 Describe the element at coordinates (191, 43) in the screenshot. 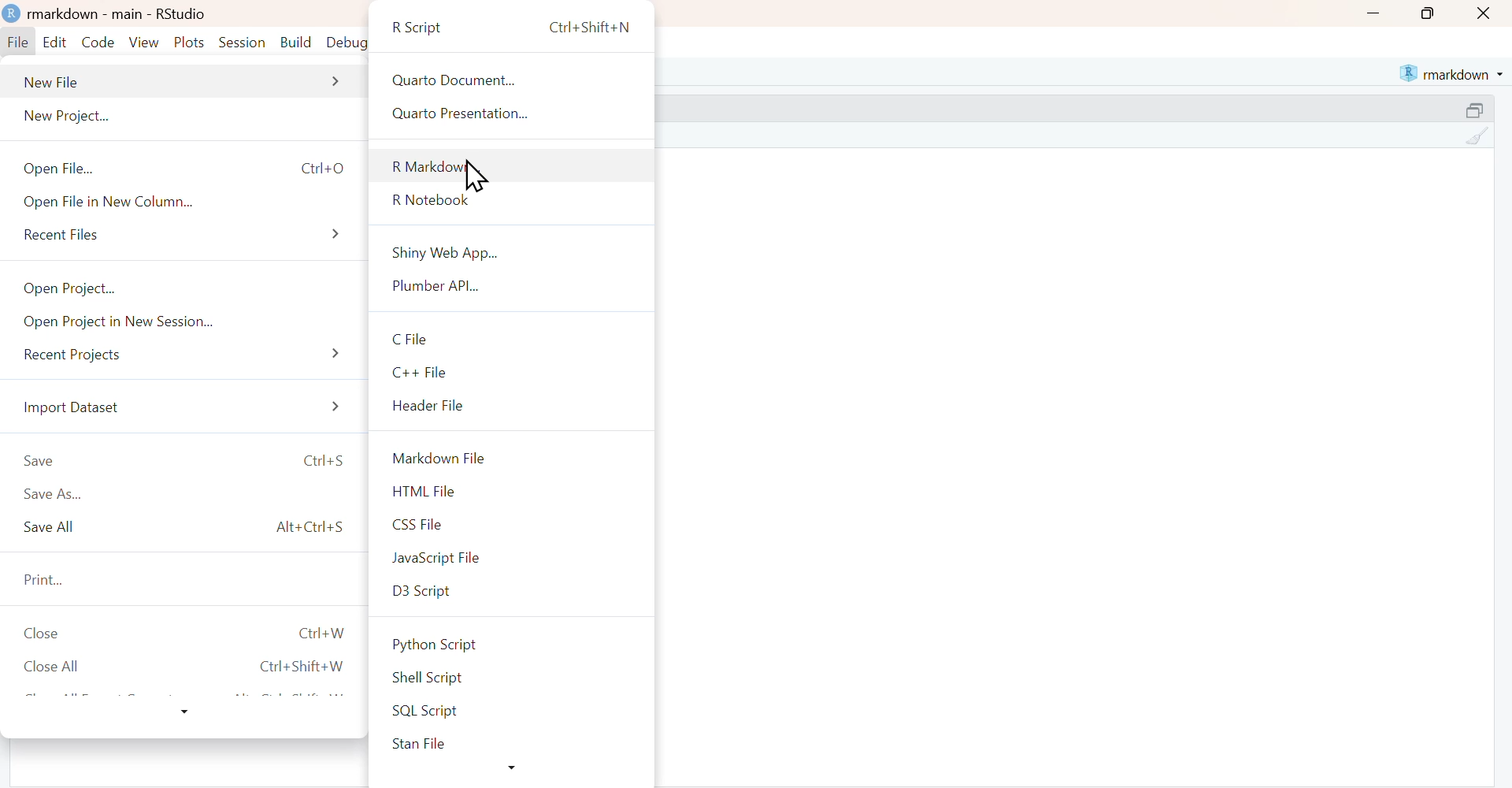

I see `Plots` at that location.